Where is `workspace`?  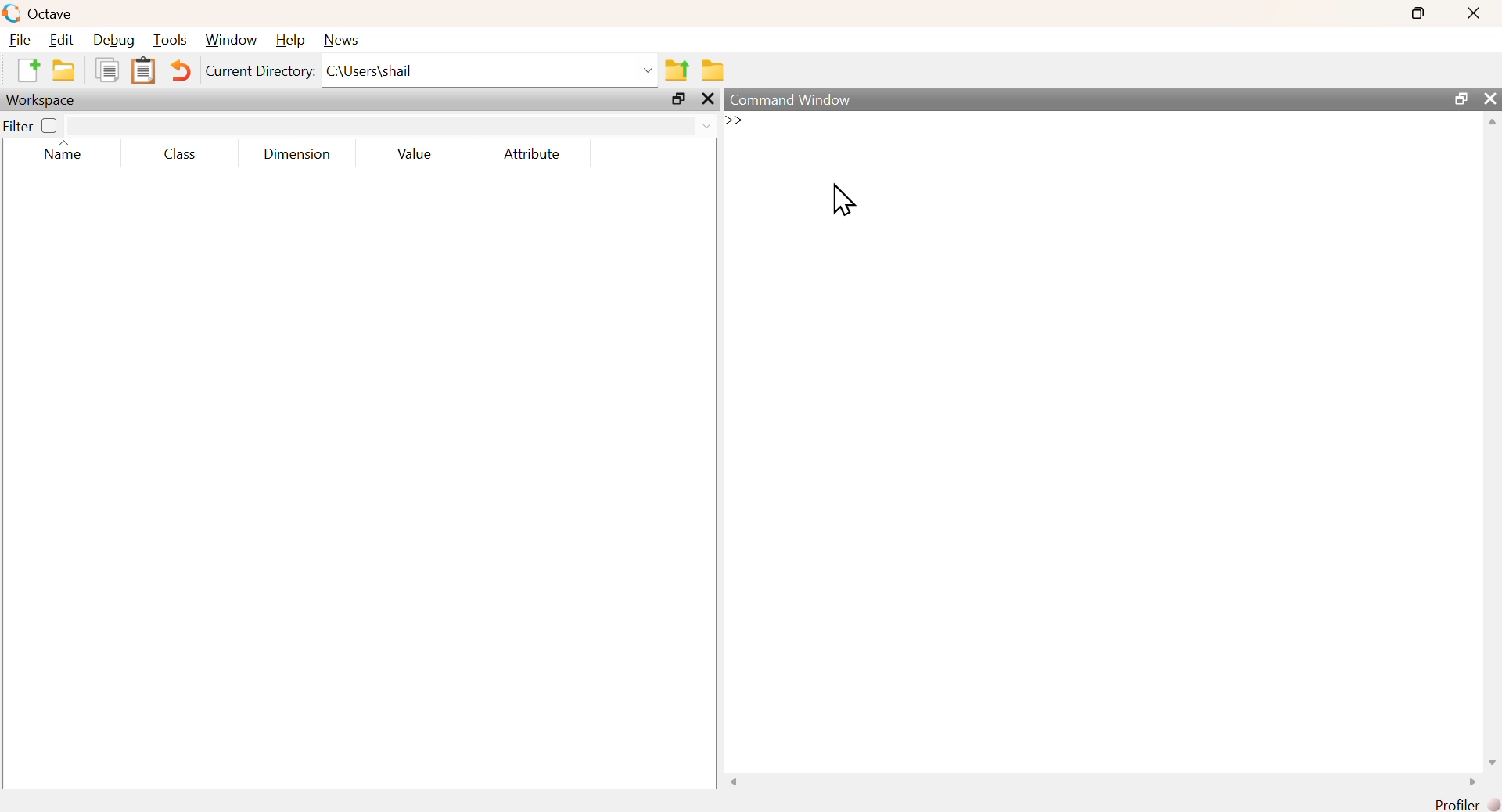
workspace is located at coordinates (43, 100).